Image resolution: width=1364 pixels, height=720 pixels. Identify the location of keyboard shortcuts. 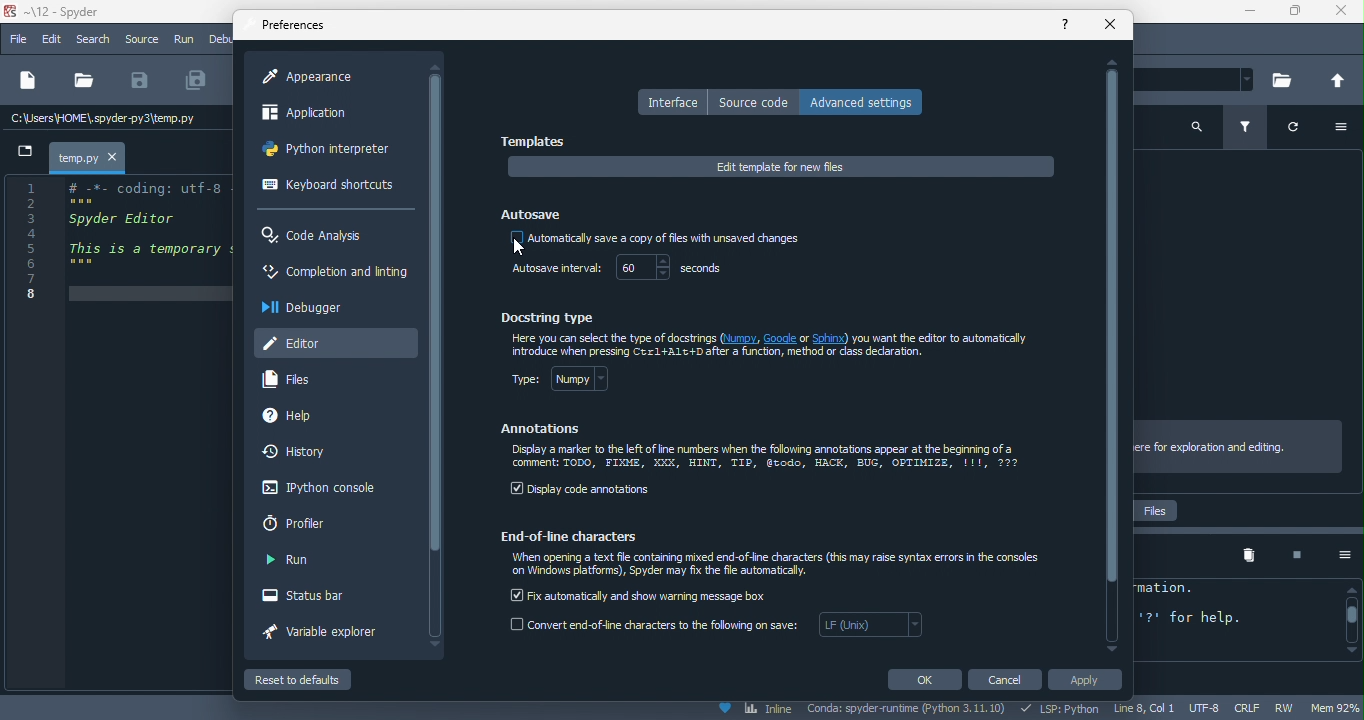
(328, 187).